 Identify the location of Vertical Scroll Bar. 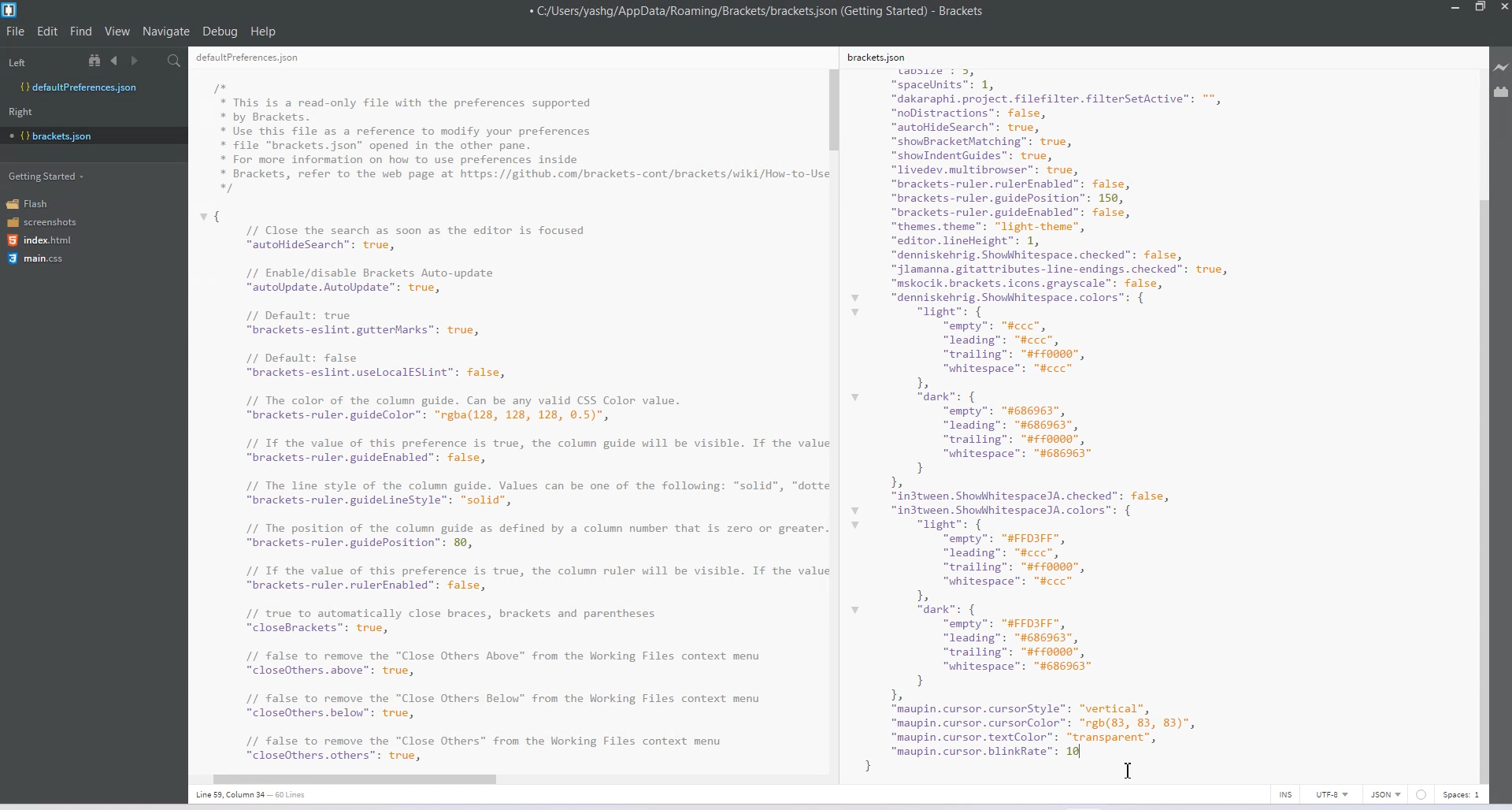
(834, 416).